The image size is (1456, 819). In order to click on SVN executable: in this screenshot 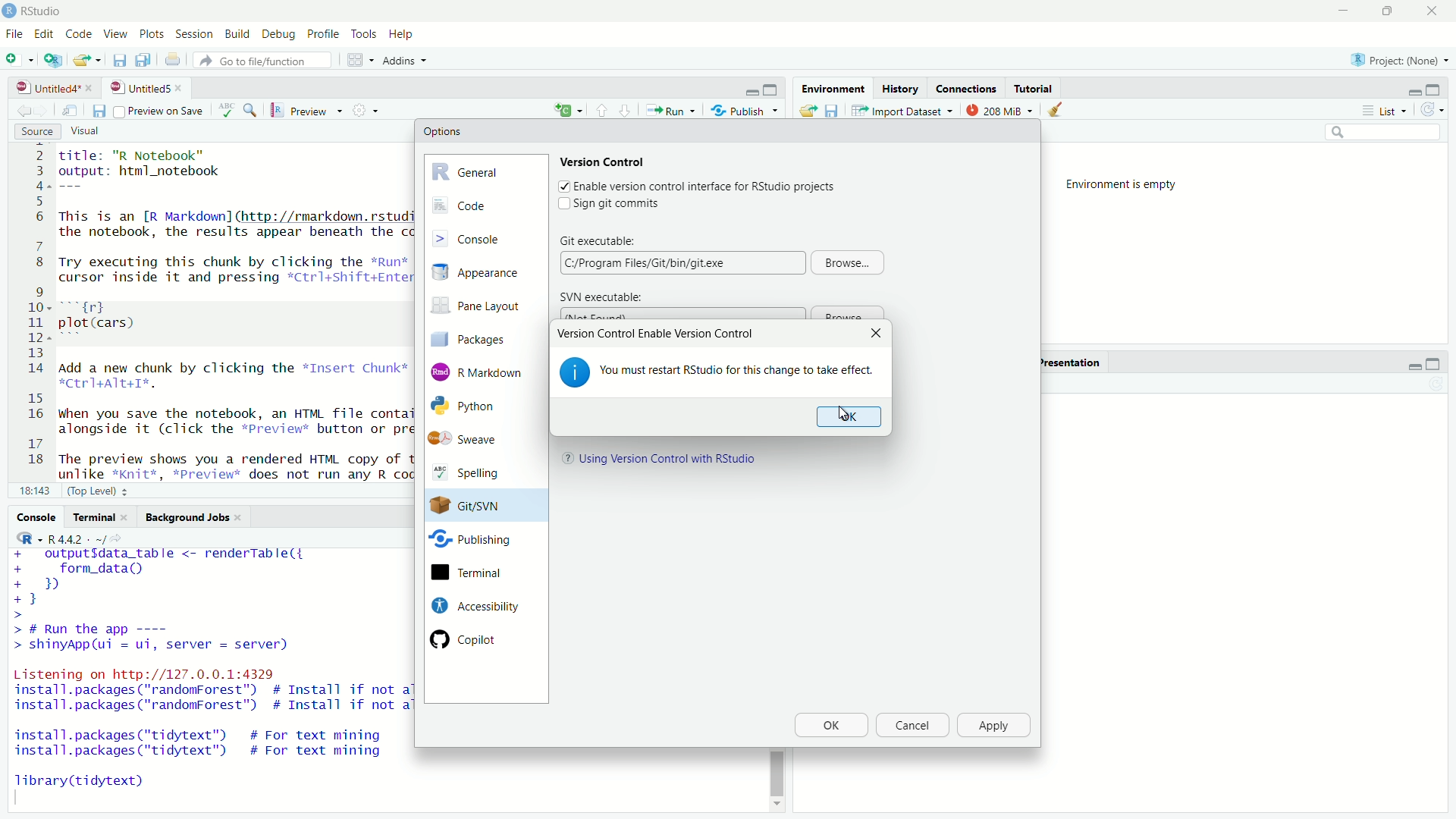, I will do `click(601, 297)`.